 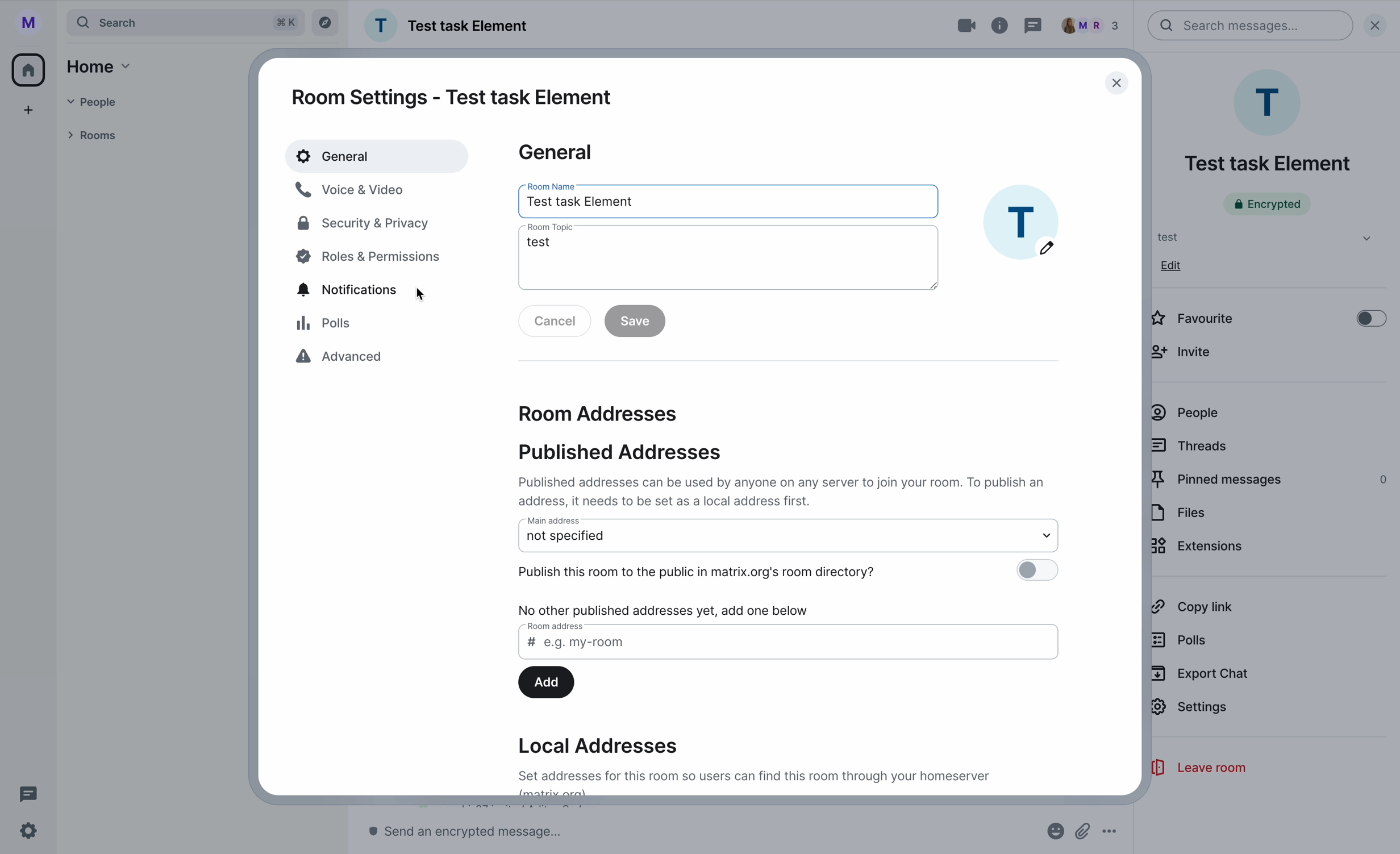 I want to click on room address, so click(x=792, y=641).